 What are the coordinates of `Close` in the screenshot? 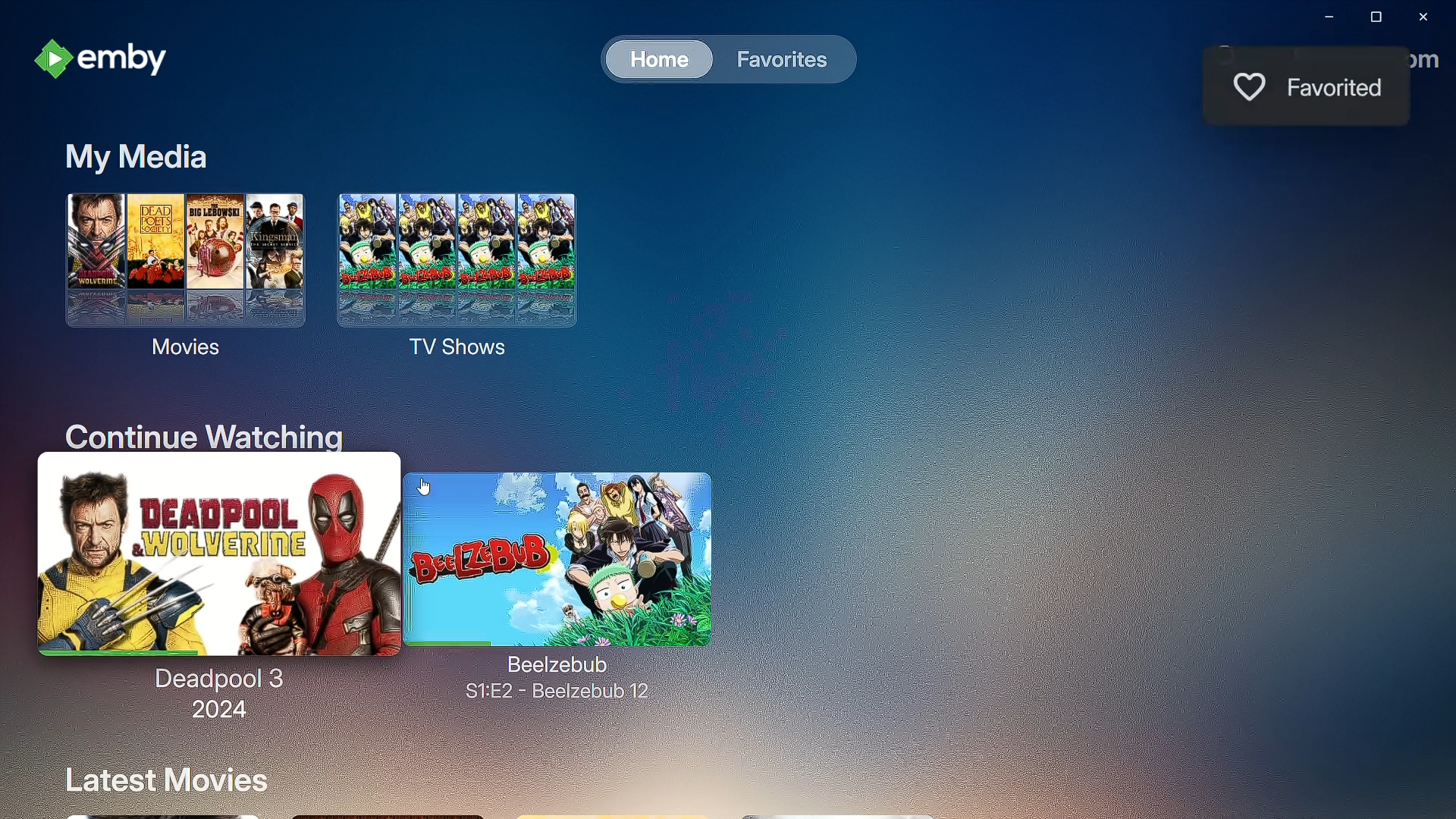 It's located at (1426, 17).